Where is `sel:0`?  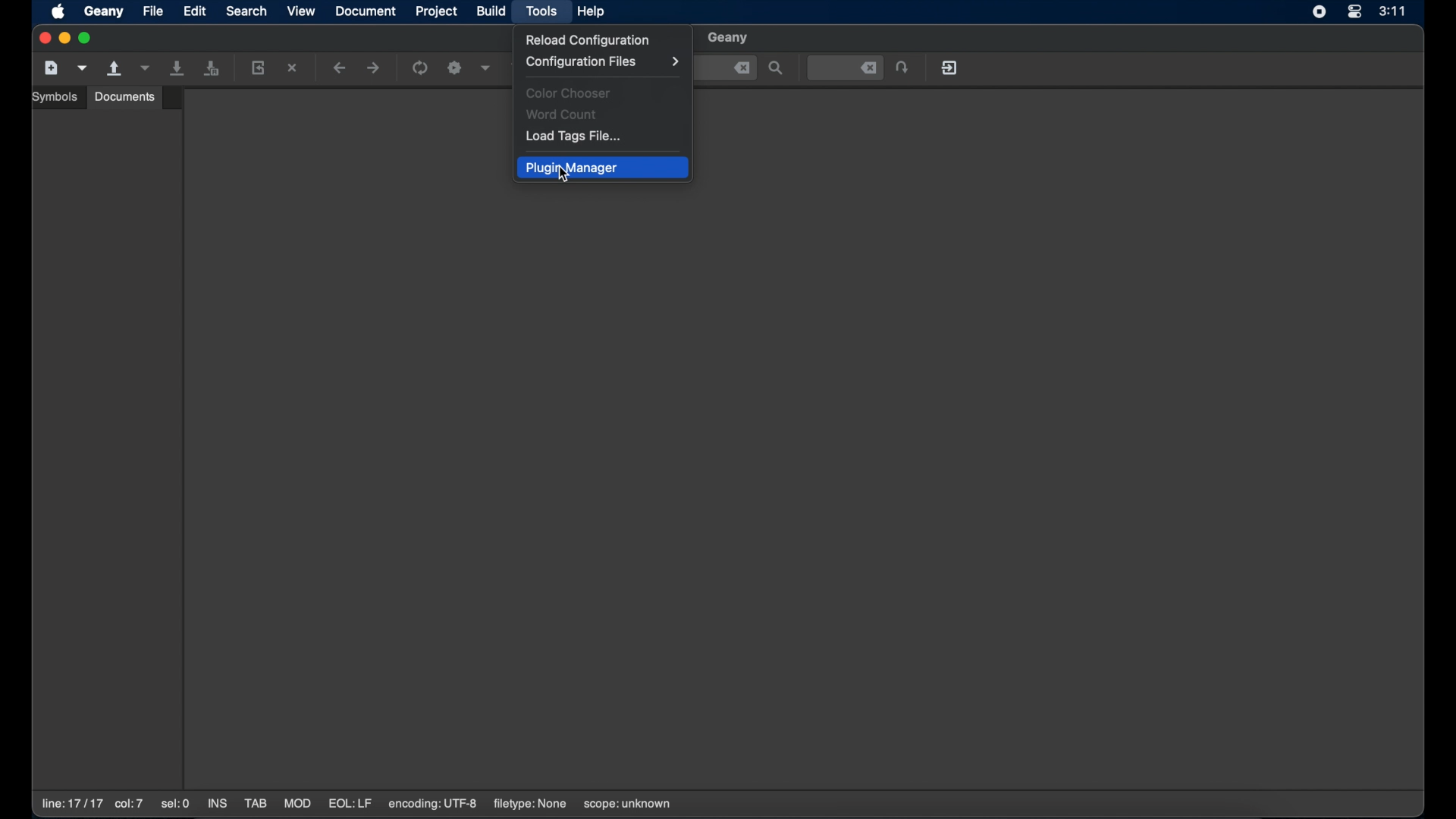
sel:0 is located at coordinates (177, 805).